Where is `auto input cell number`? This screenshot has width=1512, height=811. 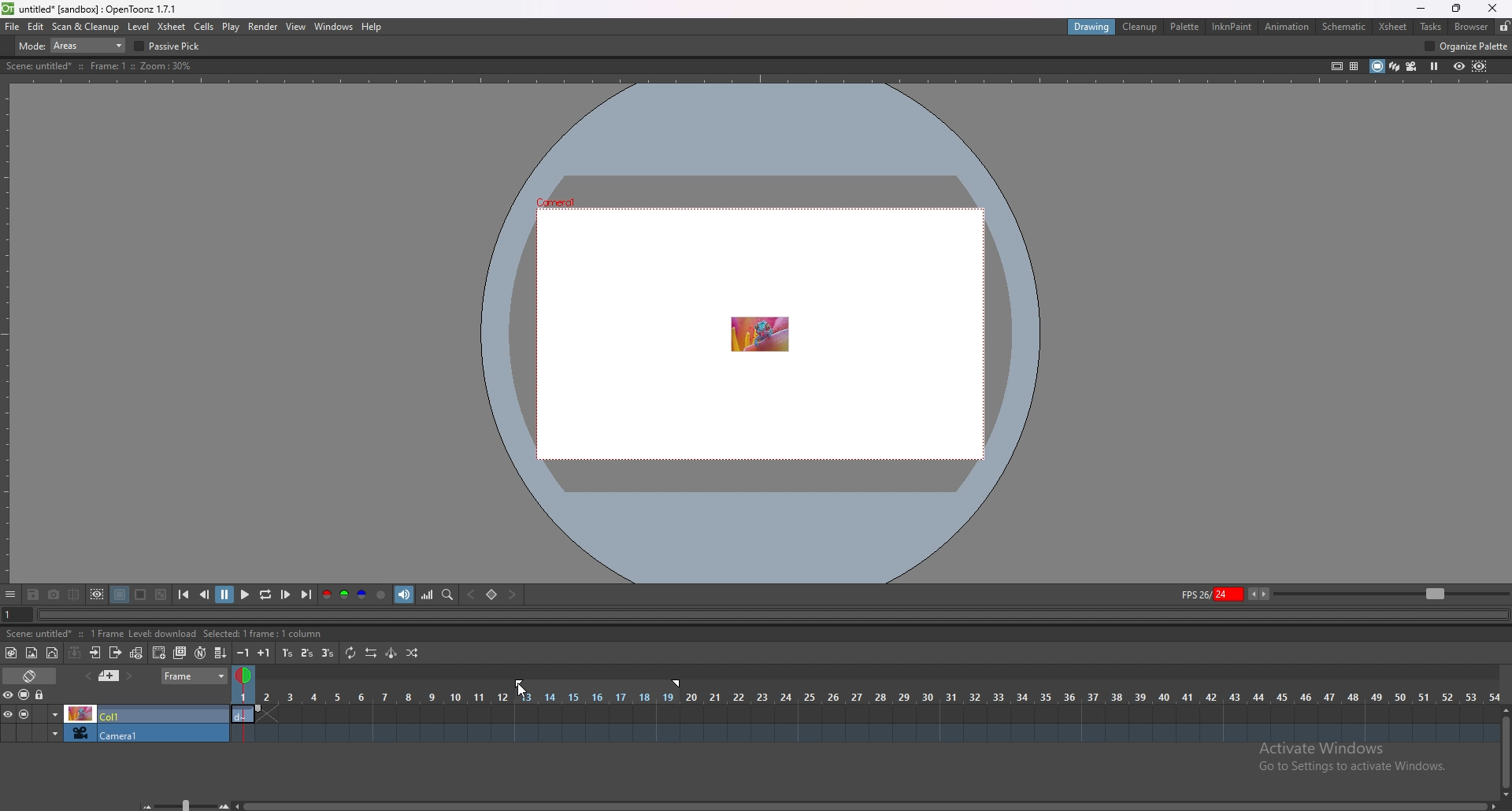
auto input cell number is located at coordinates (200, 653).